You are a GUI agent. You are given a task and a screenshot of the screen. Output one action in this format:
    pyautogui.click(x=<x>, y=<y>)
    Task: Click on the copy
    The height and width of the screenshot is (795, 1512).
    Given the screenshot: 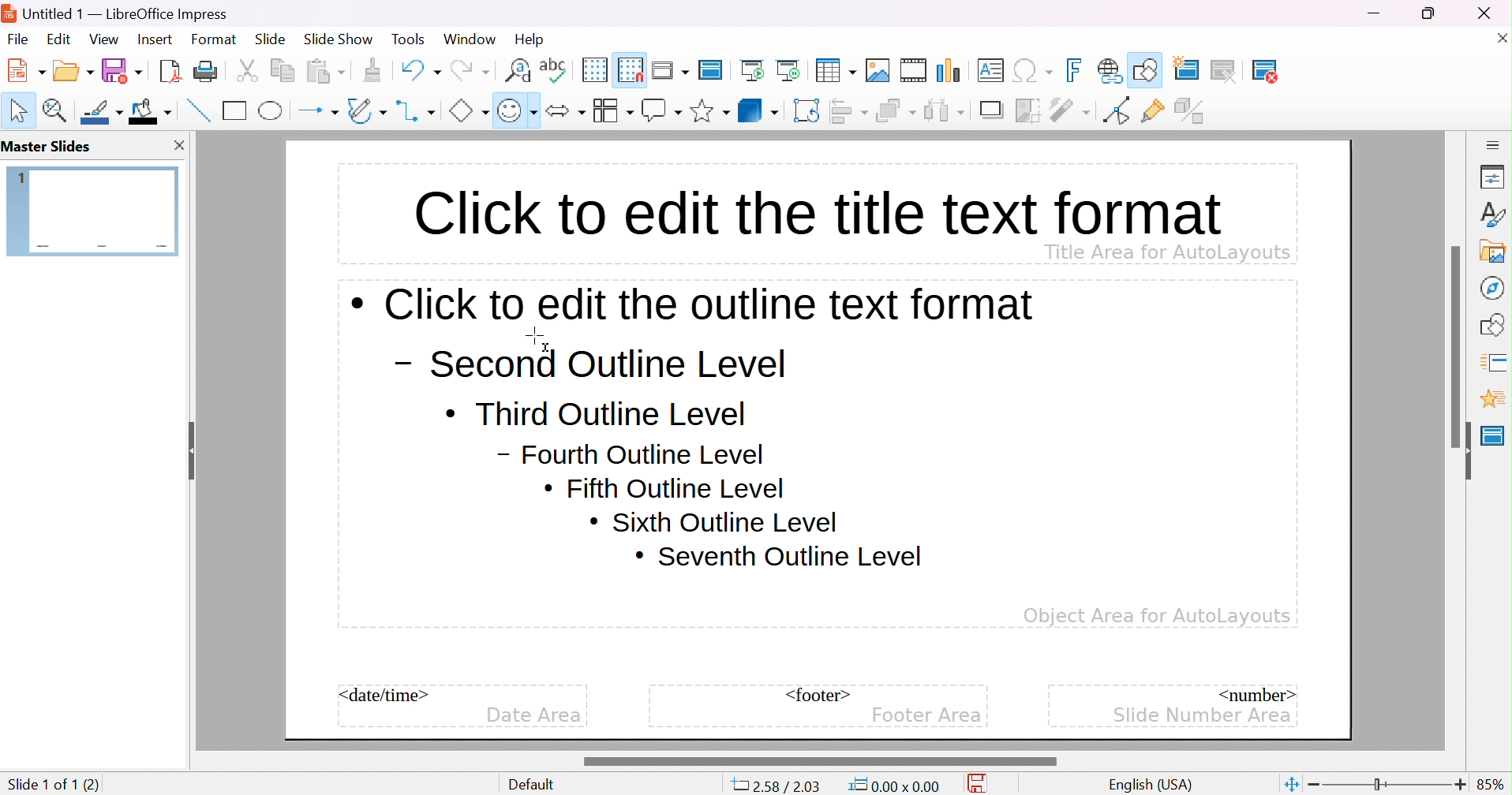 What is the action you would take?
    pyautogui.click(x=283, y=68)
    